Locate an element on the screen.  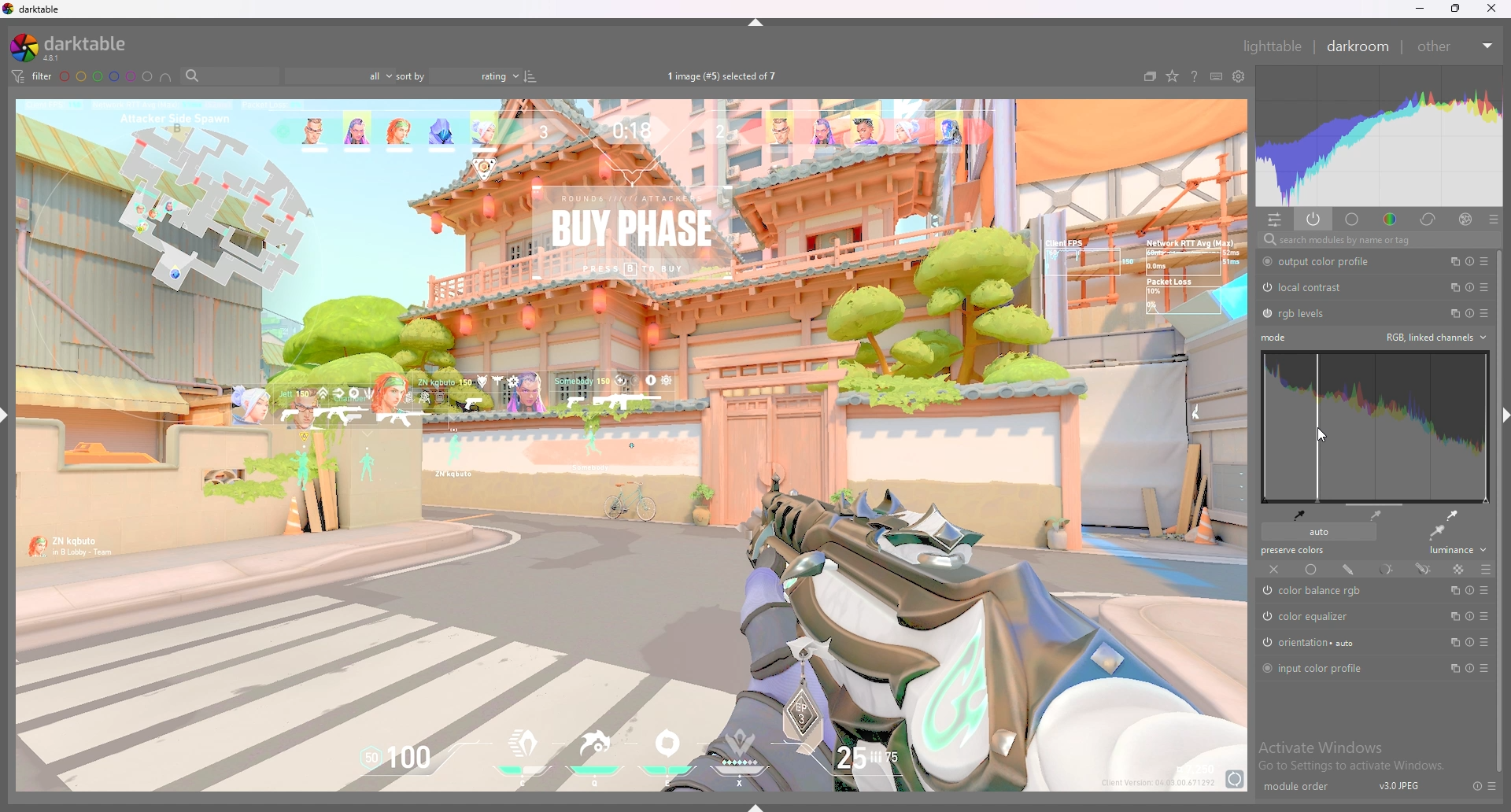
filter is located at coordinates (32, 77).